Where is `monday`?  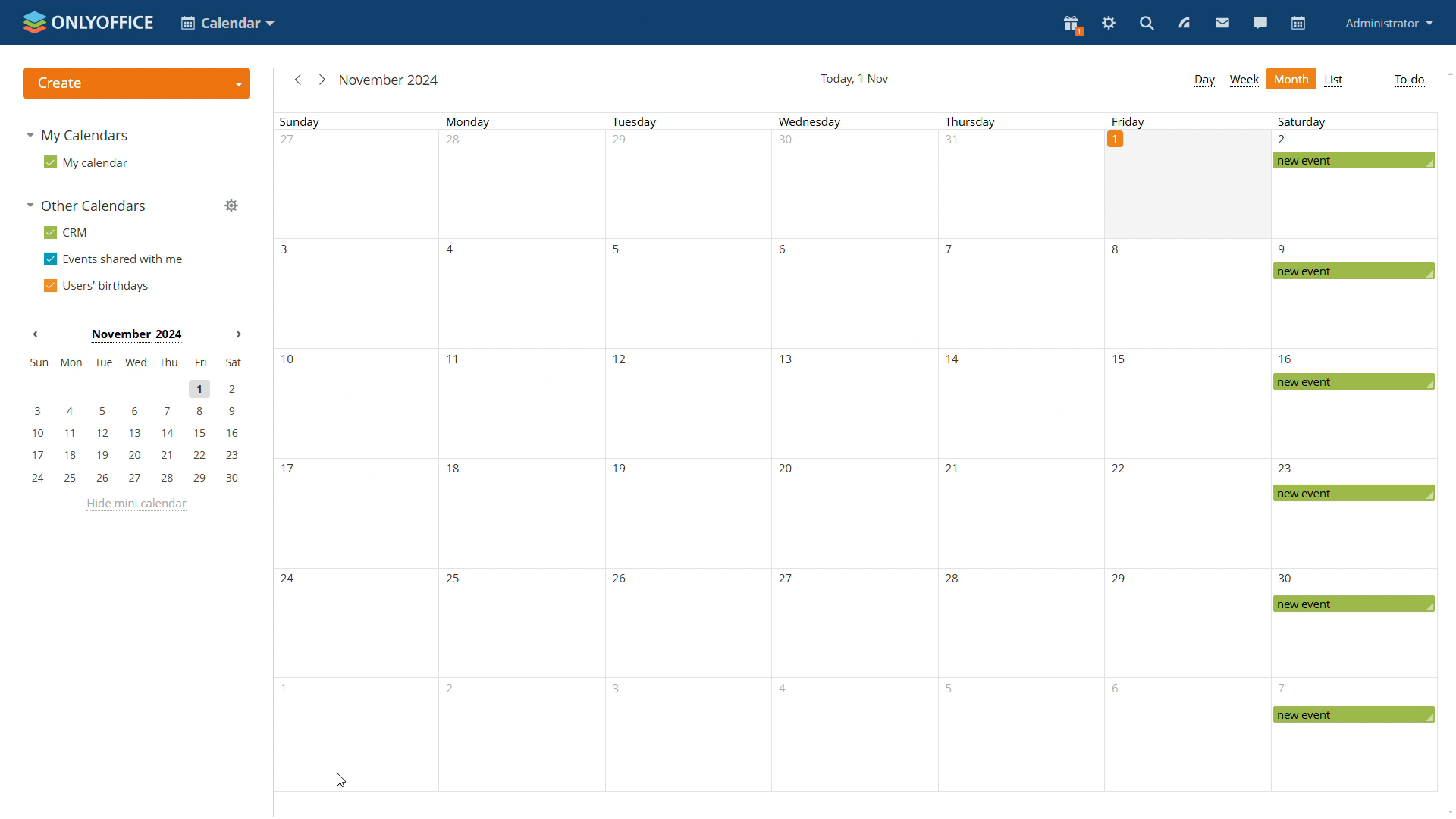 monday is located at coordinates (518, 452).